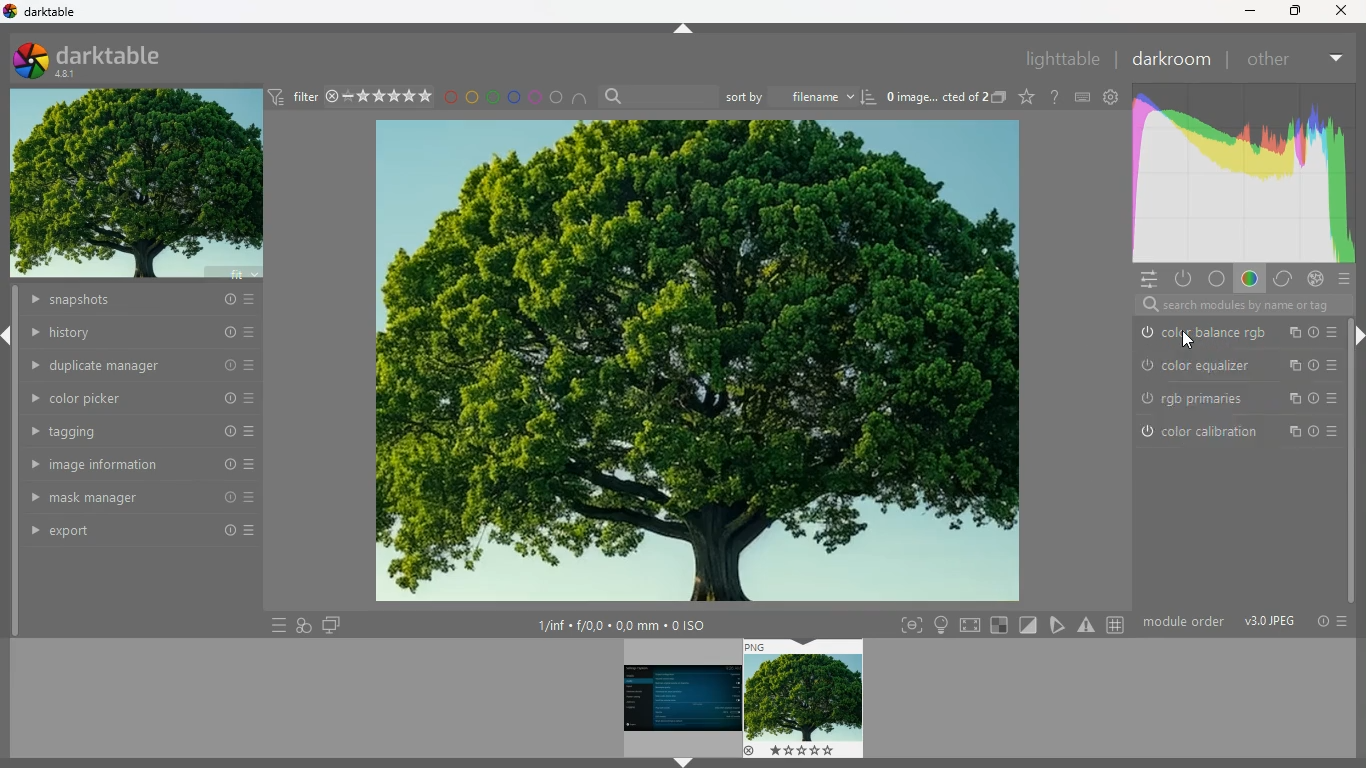 This screenshot has height=768, width=1366. I want to click on warning, so click(1087, 625).